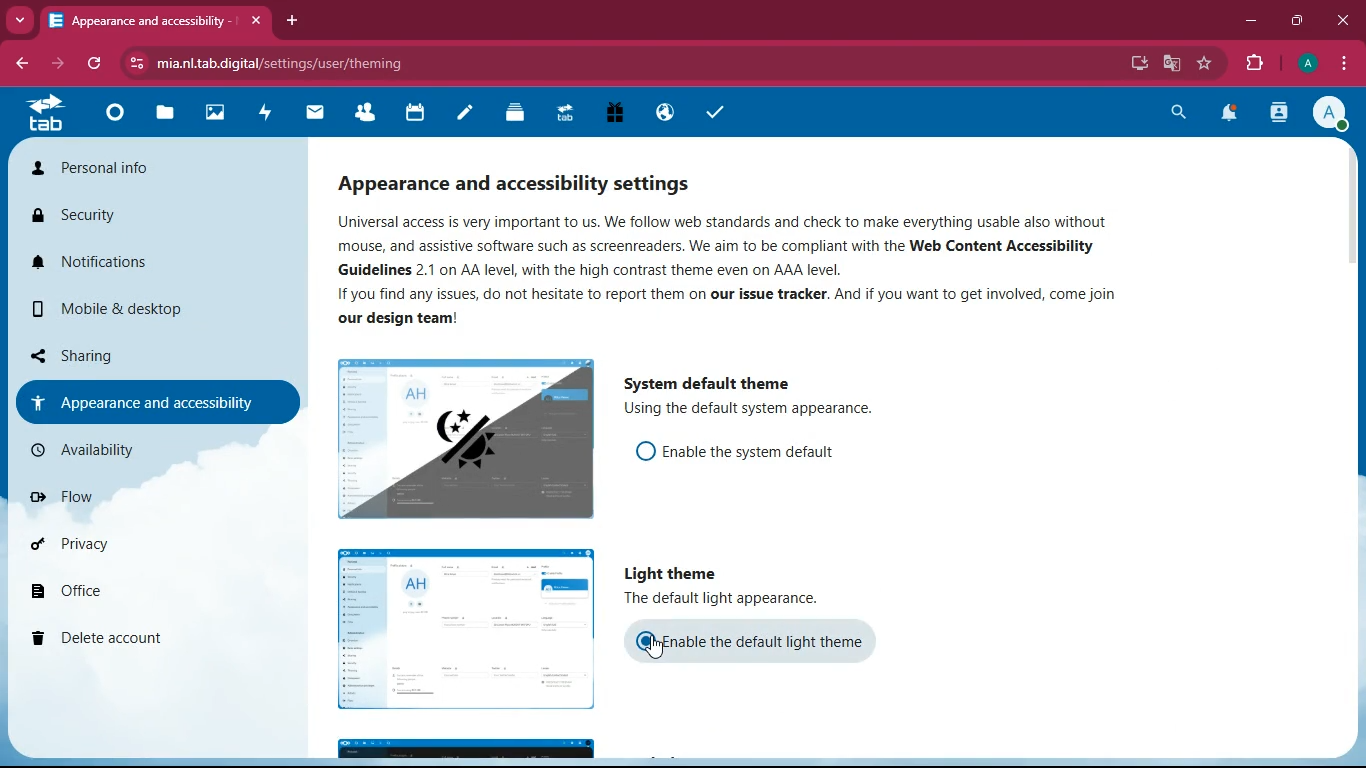  Describe the element at coordinates (663, 112) in the screenshot. I see `public` at that location.